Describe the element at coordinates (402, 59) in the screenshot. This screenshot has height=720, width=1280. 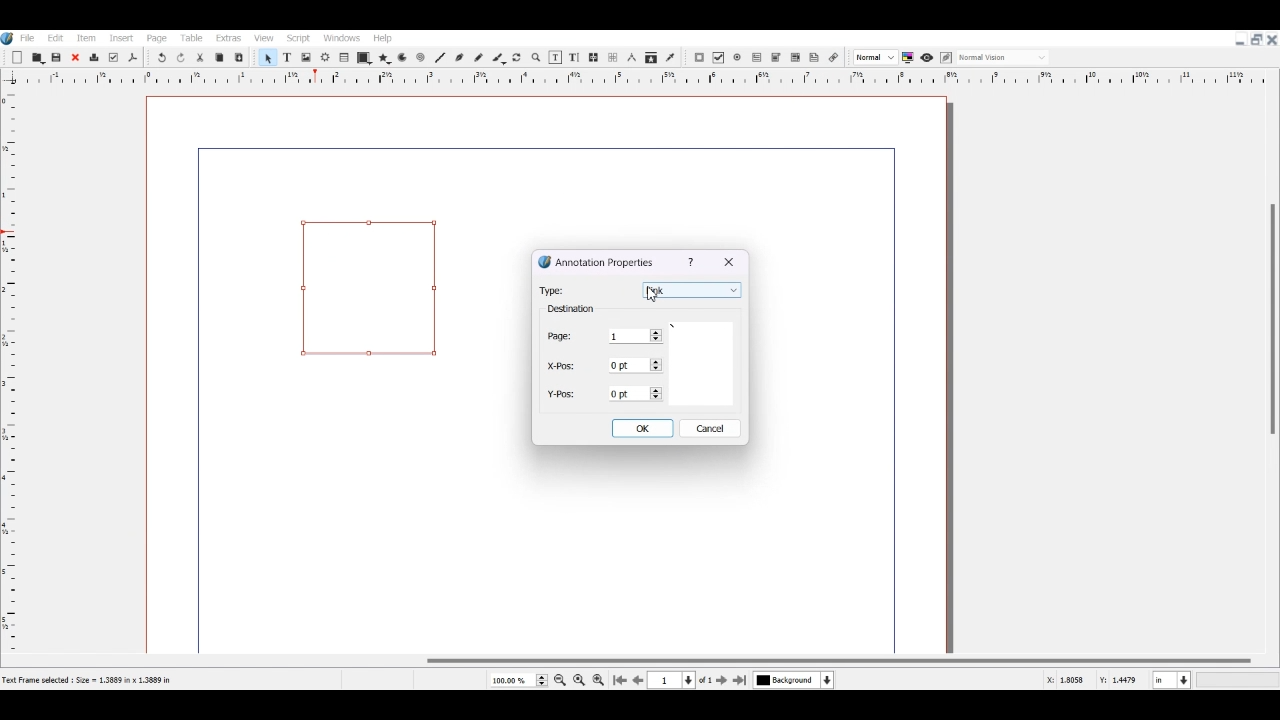
I see `Arc` at that location.